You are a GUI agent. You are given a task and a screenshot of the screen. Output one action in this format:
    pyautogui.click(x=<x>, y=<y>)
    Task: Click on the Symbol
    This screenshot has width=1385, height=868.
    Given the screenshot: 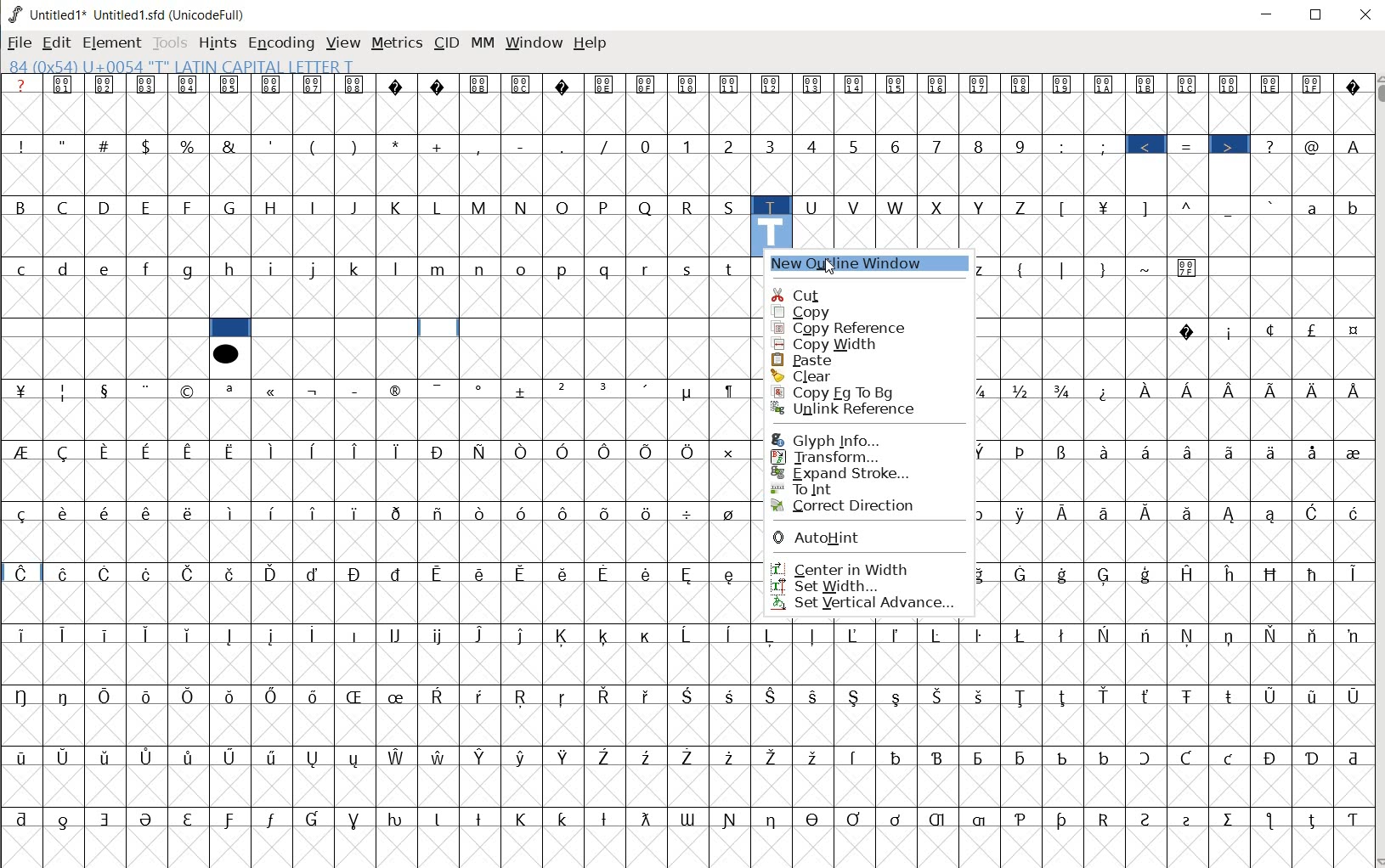 What is the action you would take?
    pyautogui.click(x=274, y=758)
    